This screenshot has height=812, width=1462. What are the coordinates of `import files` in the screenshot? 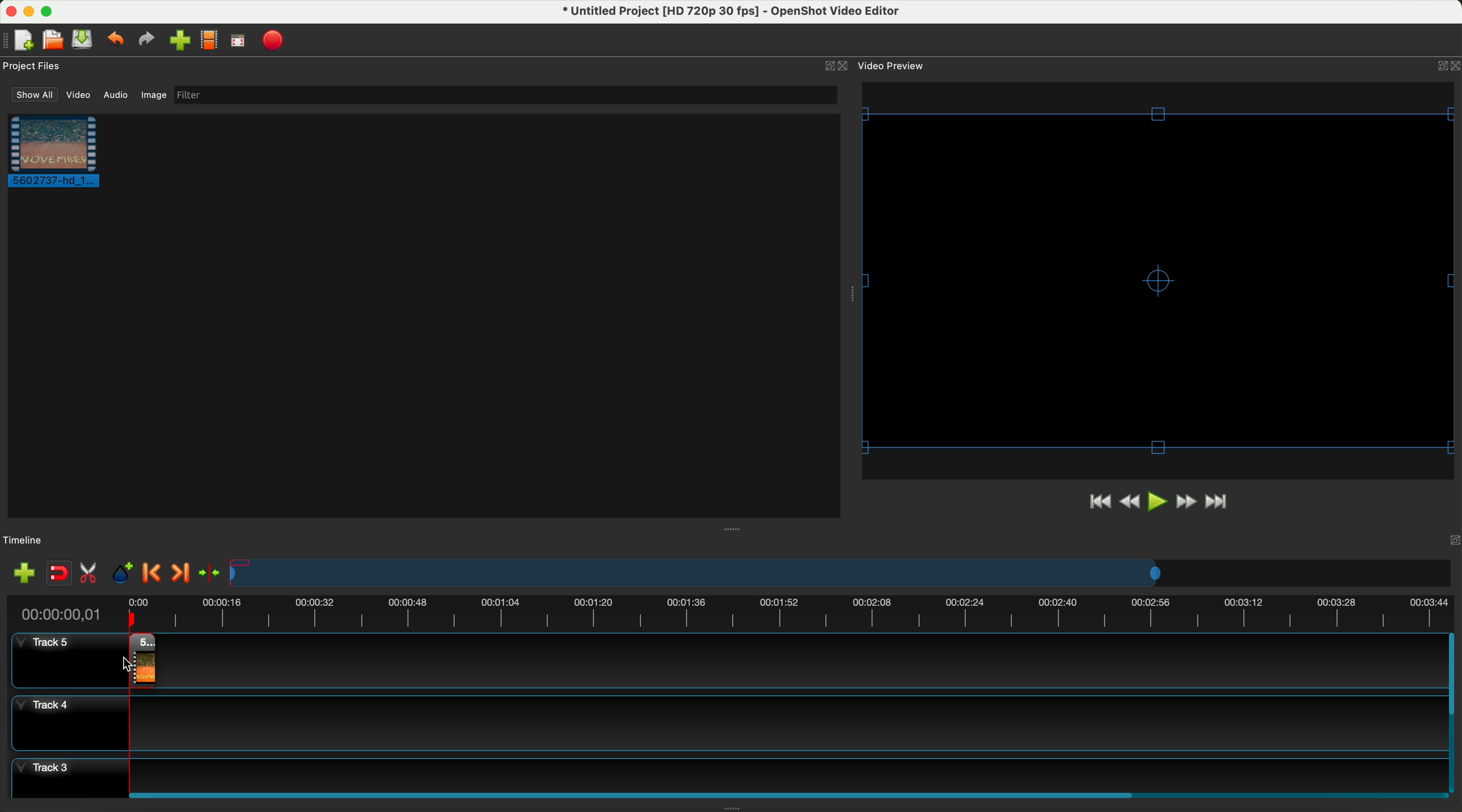 It's located at (179, 40).